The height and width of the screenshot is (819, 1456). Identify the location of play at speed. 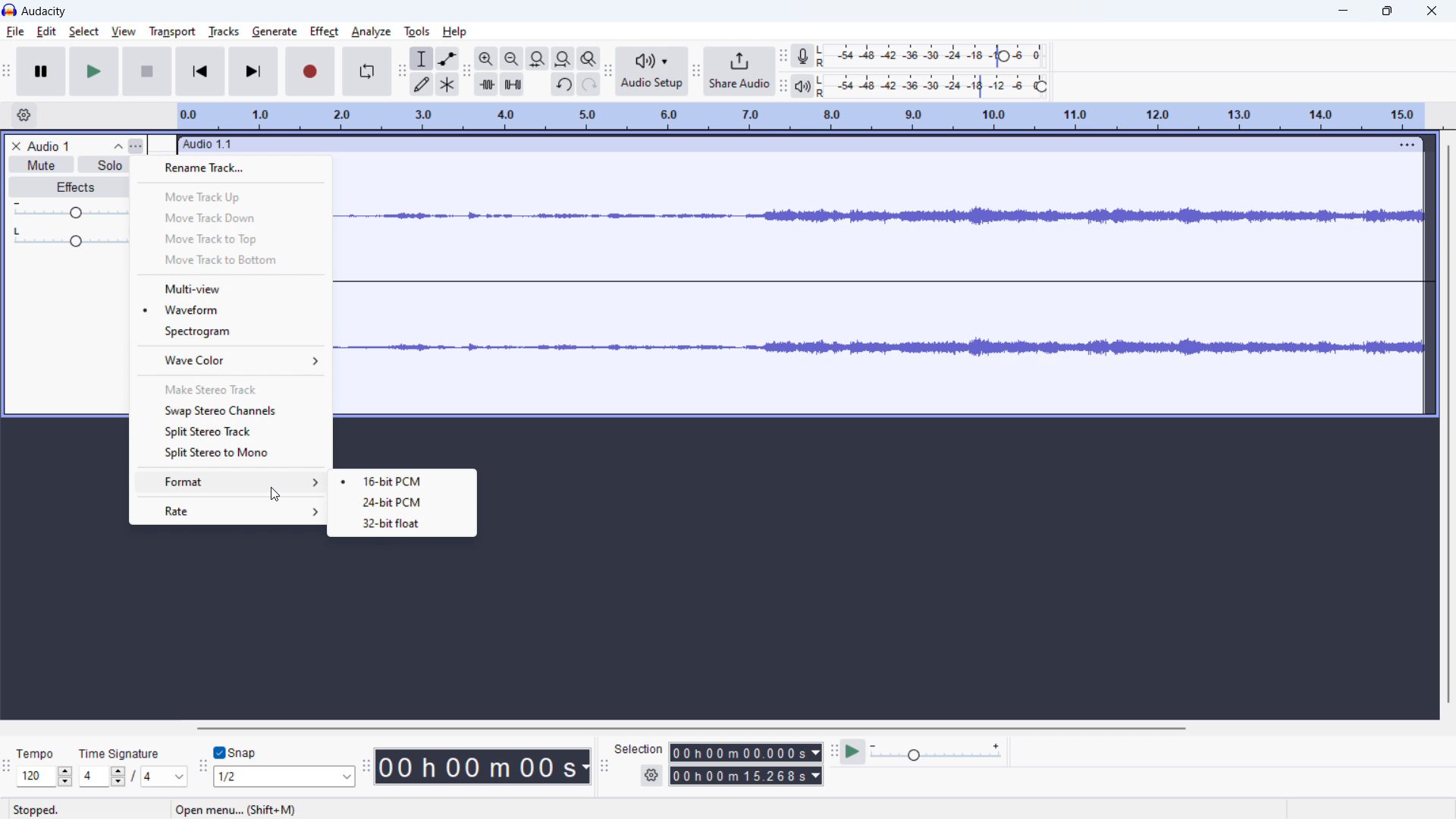
(853, 752).